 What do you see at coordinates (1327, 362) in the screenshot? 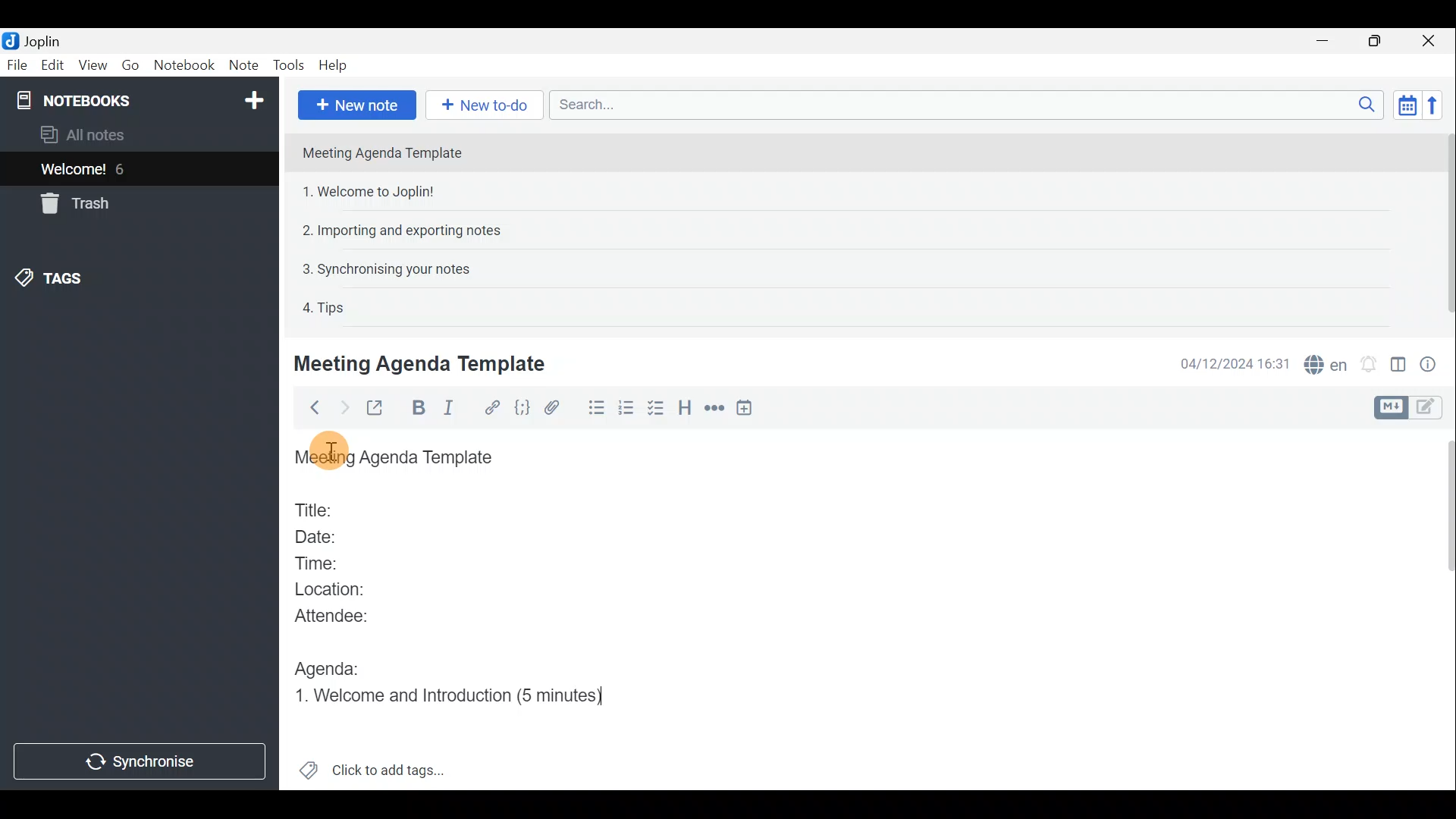
I see `Spell checker` at bounding box center [1327, 362].